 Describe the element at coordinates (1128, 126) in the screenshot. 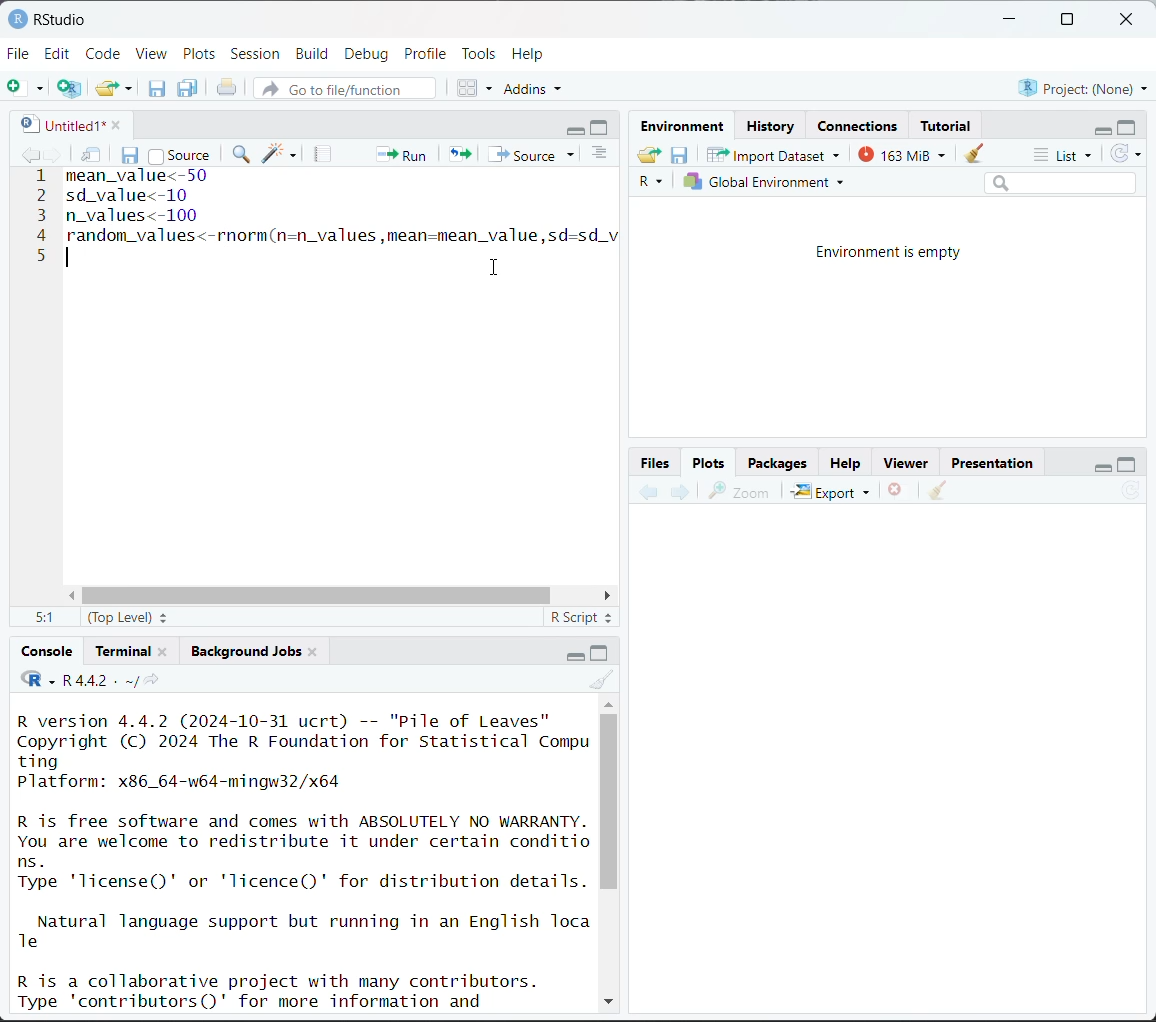

I see `maximize` at that location.